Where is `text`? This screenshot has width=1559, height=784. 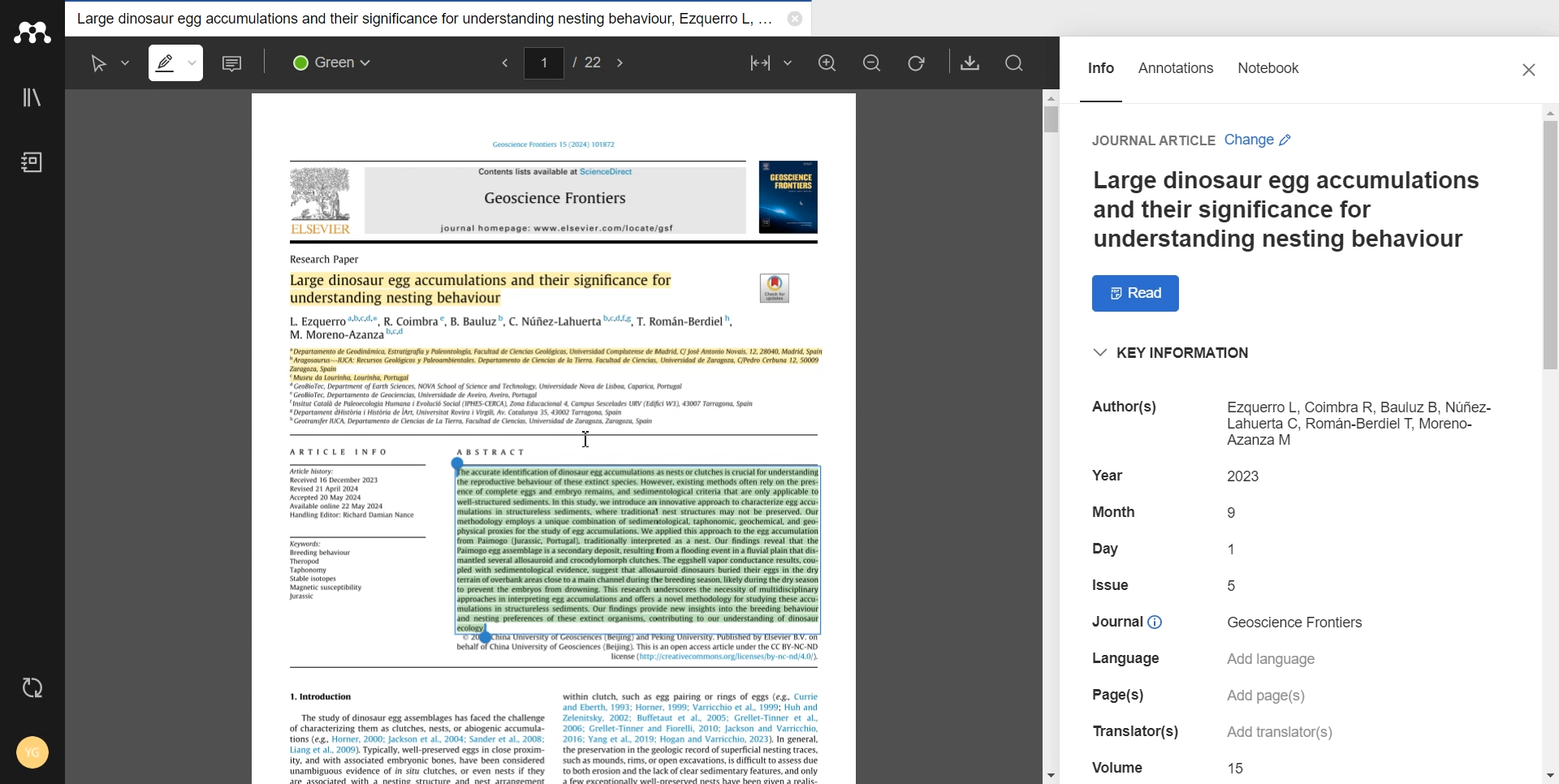
text is located at coordinates (1122, 621).